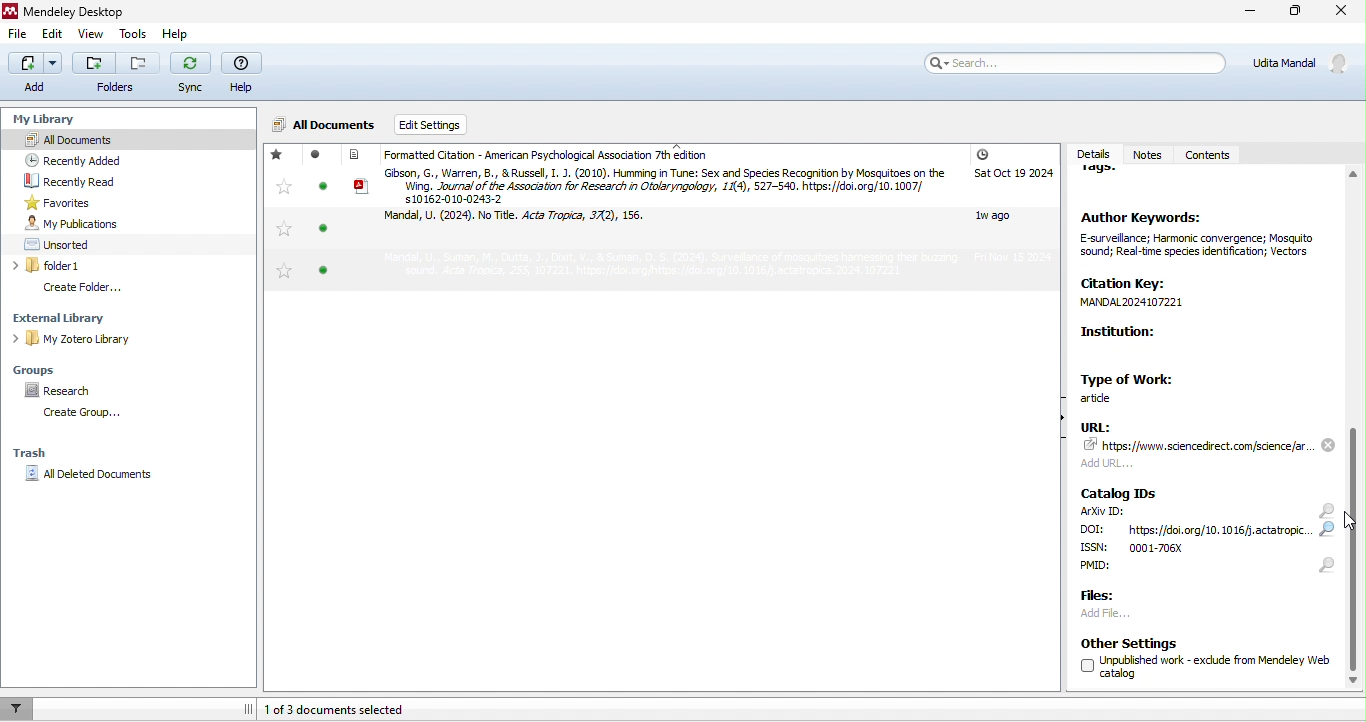 Image resolution: width=1366 pixels, height=722 pixels. Describe the element at coordinates (451, 125) in the screenshot. I see `edit settings` at that location.